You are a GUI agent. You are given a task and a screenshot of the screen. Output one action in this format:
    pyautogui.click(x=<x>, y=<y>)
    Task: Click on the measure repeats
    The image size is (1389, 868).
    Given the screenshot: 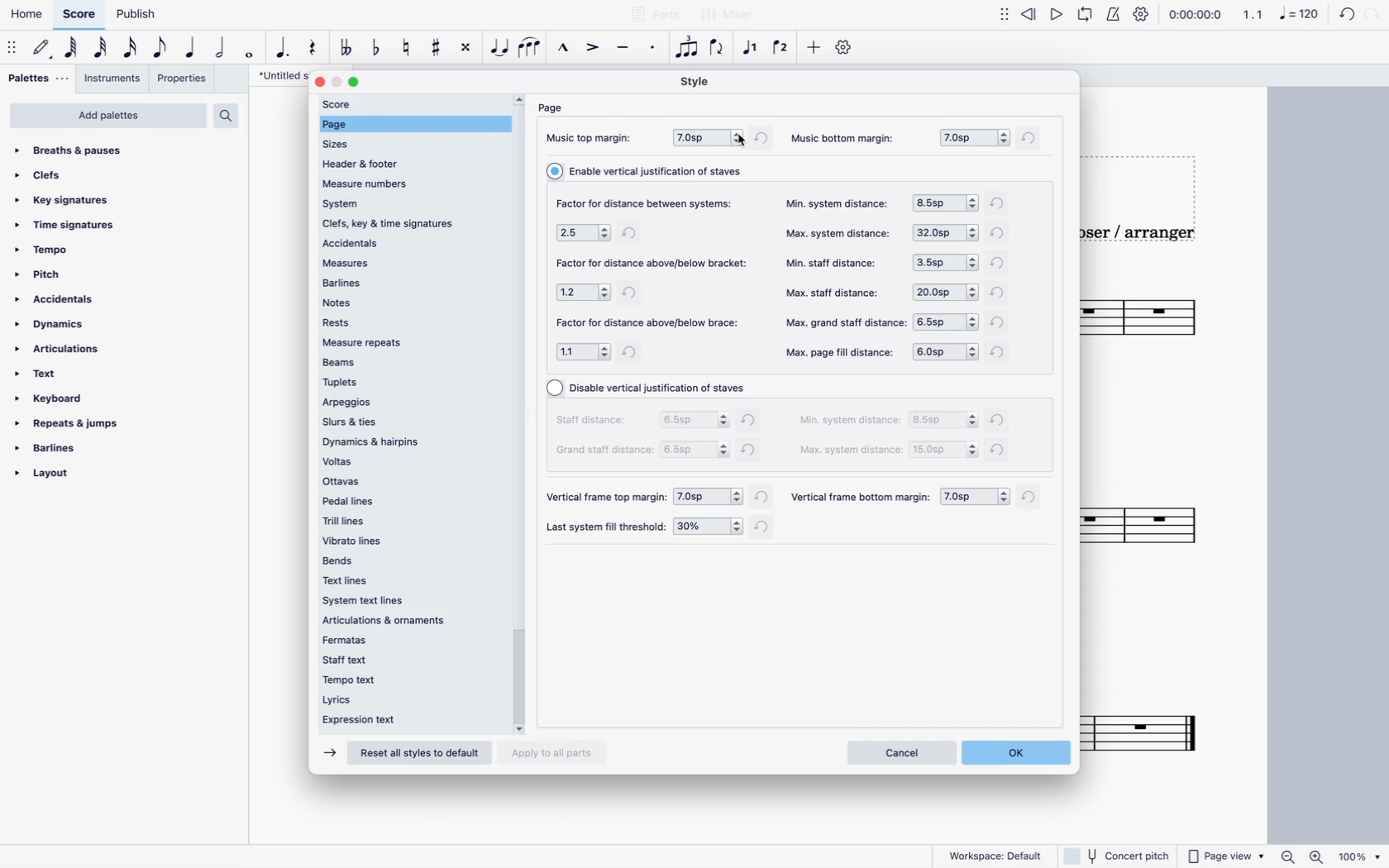 What is the action you would take?
    pyautogui.click(x=408, y=341)
    